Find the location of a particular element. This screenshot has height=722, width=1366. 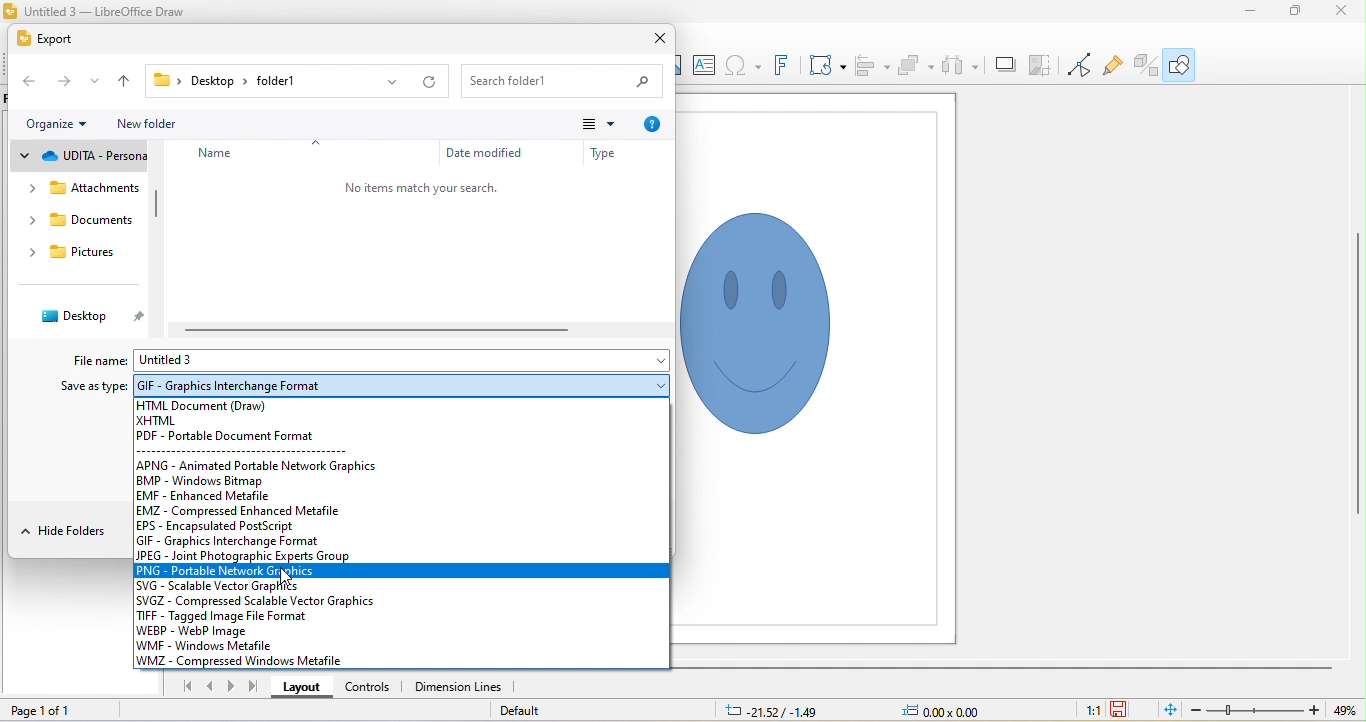

WEBP-WebP image is located at coordinates (203, 631).